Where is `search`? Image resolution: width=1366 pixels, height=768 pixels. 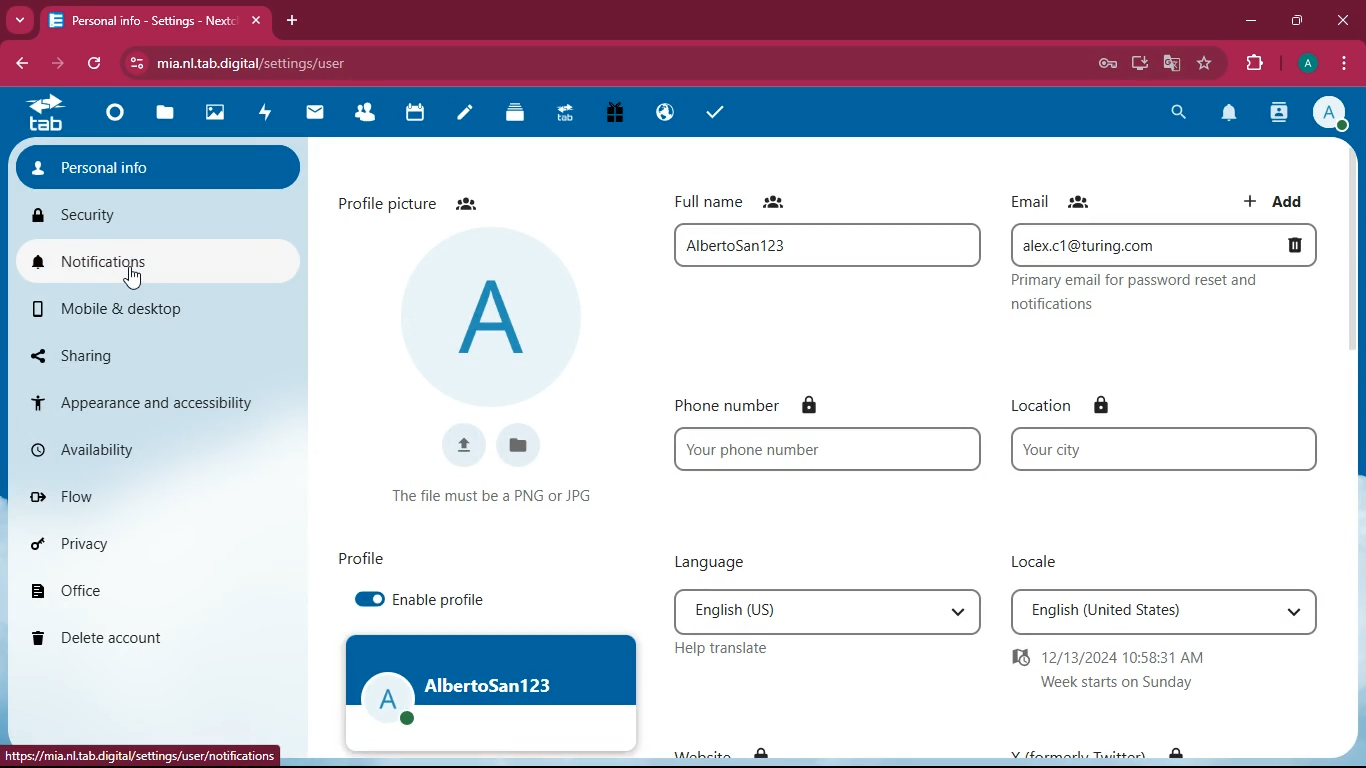 search is located at coordinates (1174, 113).